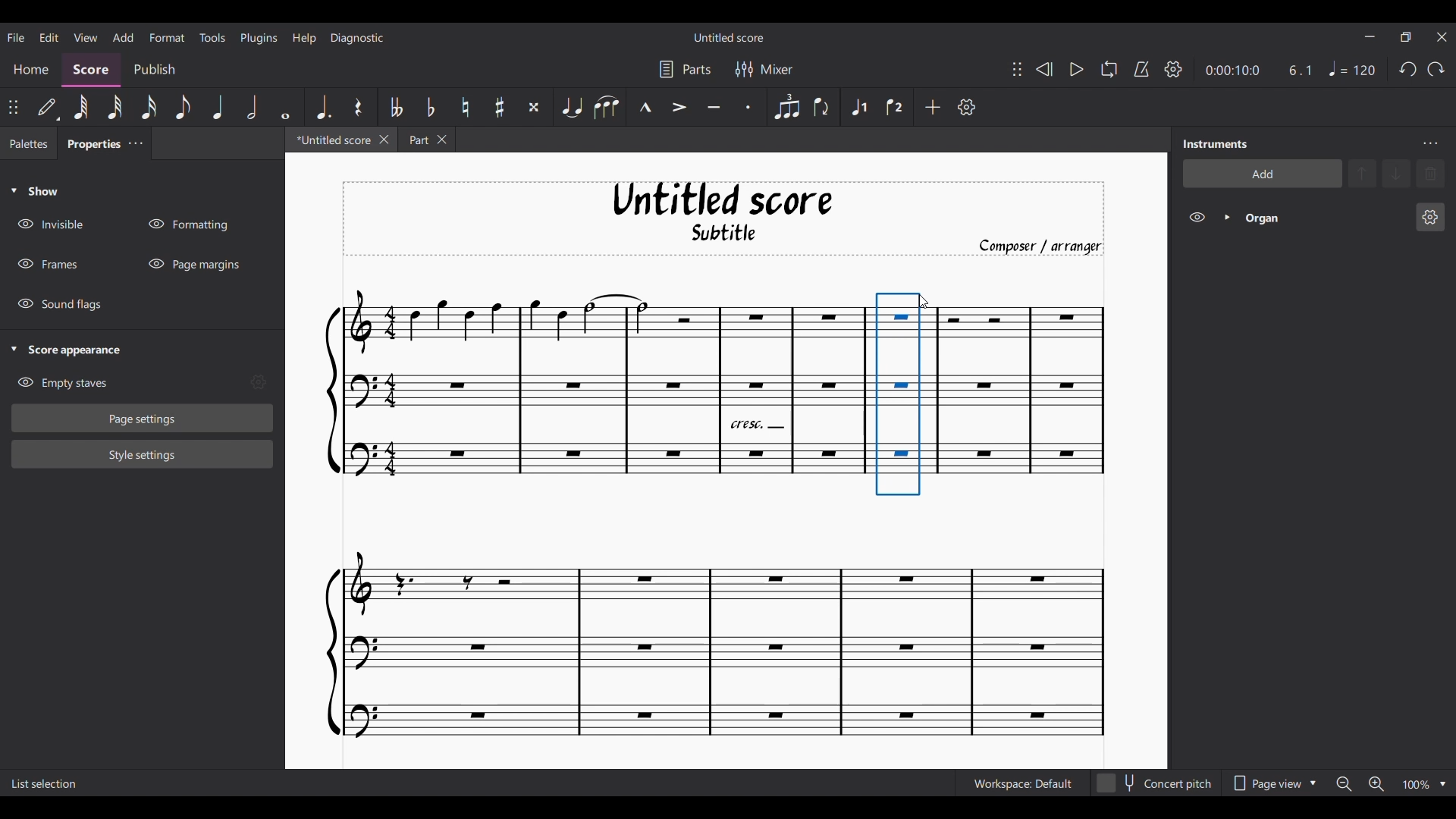  Describe the element at coordinates (426, 139) in the screenshot. I see `Earlier tab` at that location.